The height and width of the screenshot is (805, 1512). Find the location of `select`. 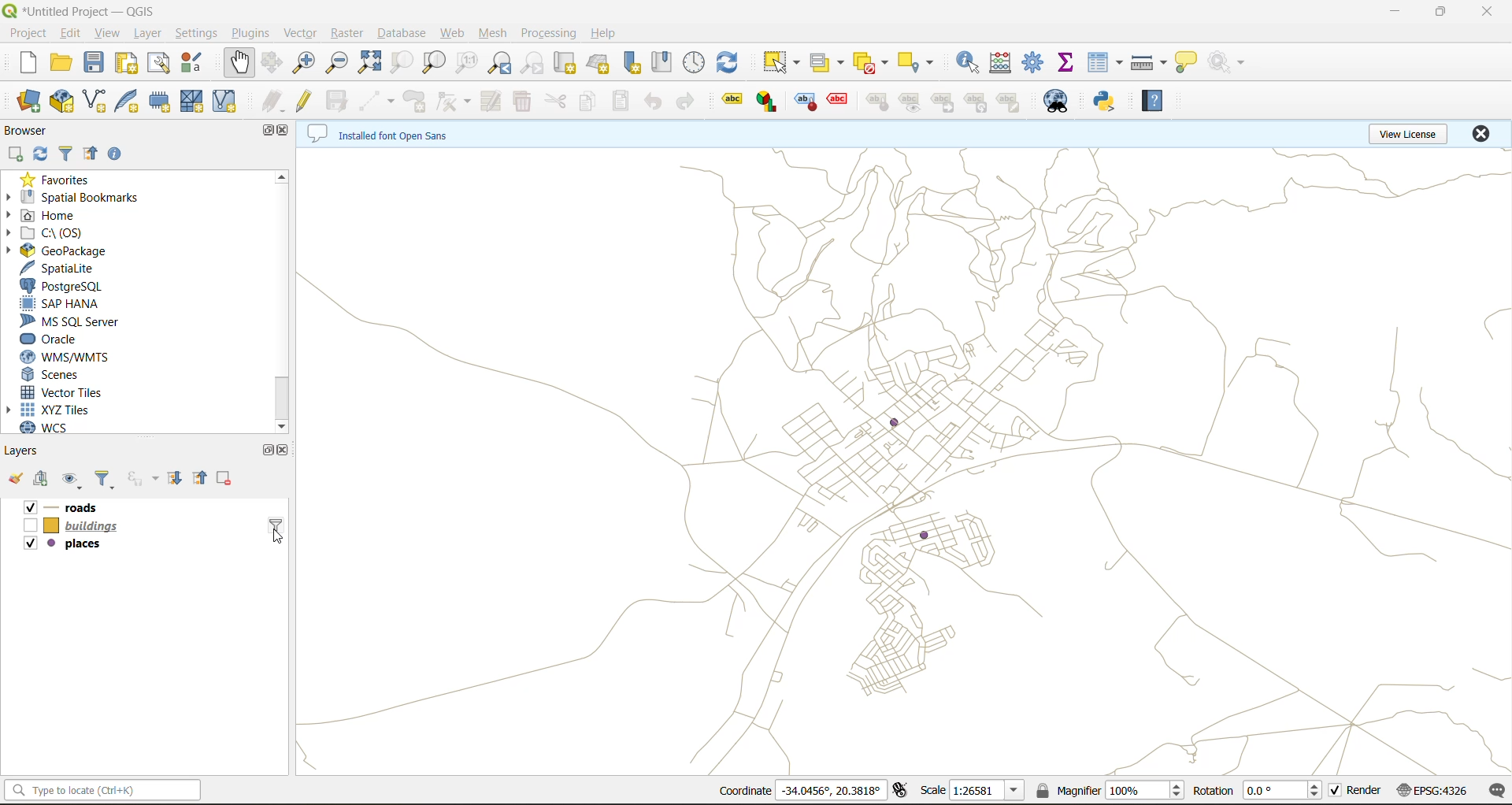

select is located at coordinates (780, 61).